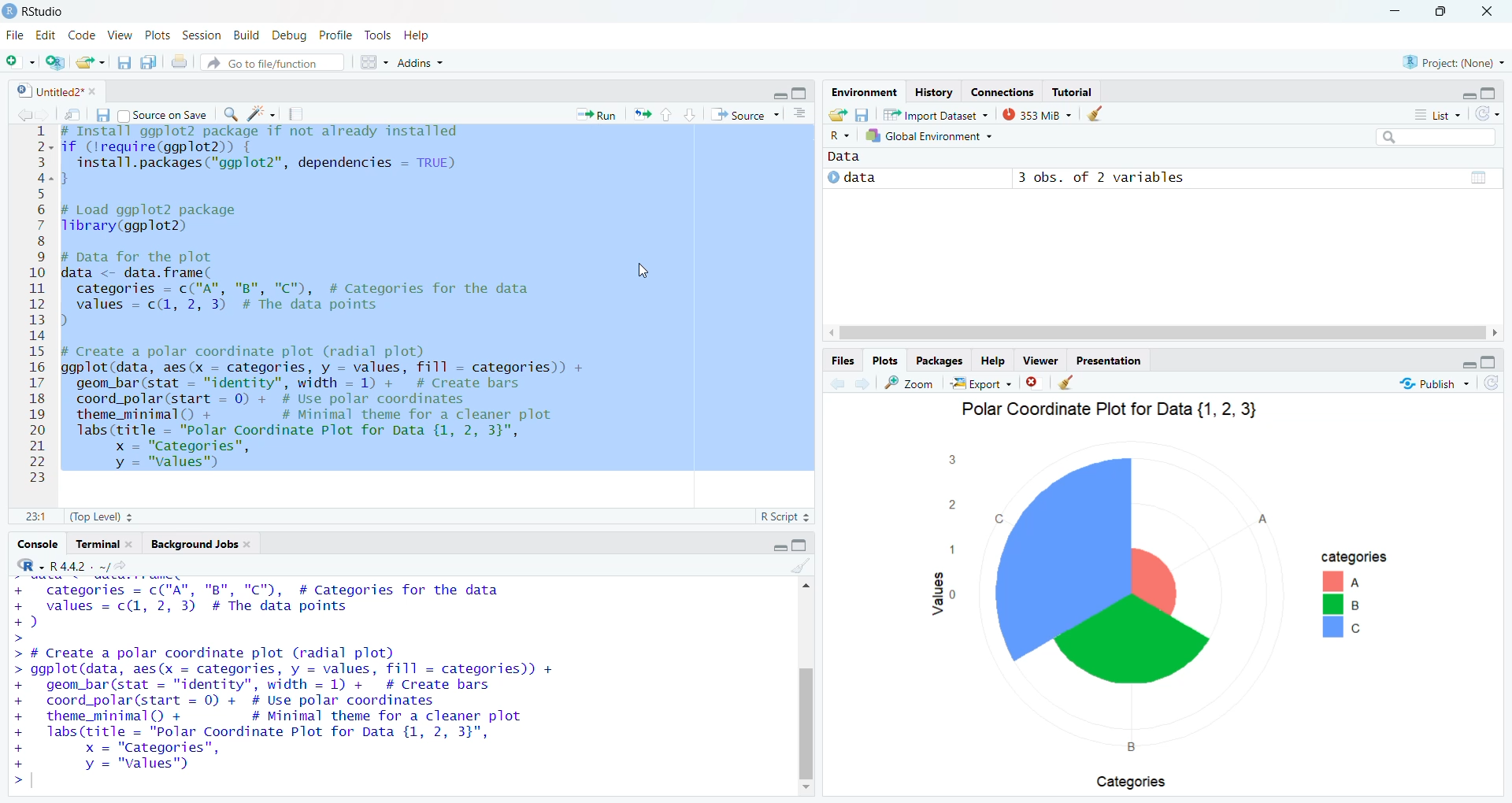 The height and width of the screenshot is (803, 1512). What do you see at coordinates (866, 385) in the screenshot?
I see `go forward` at bounding box center [866, 385].